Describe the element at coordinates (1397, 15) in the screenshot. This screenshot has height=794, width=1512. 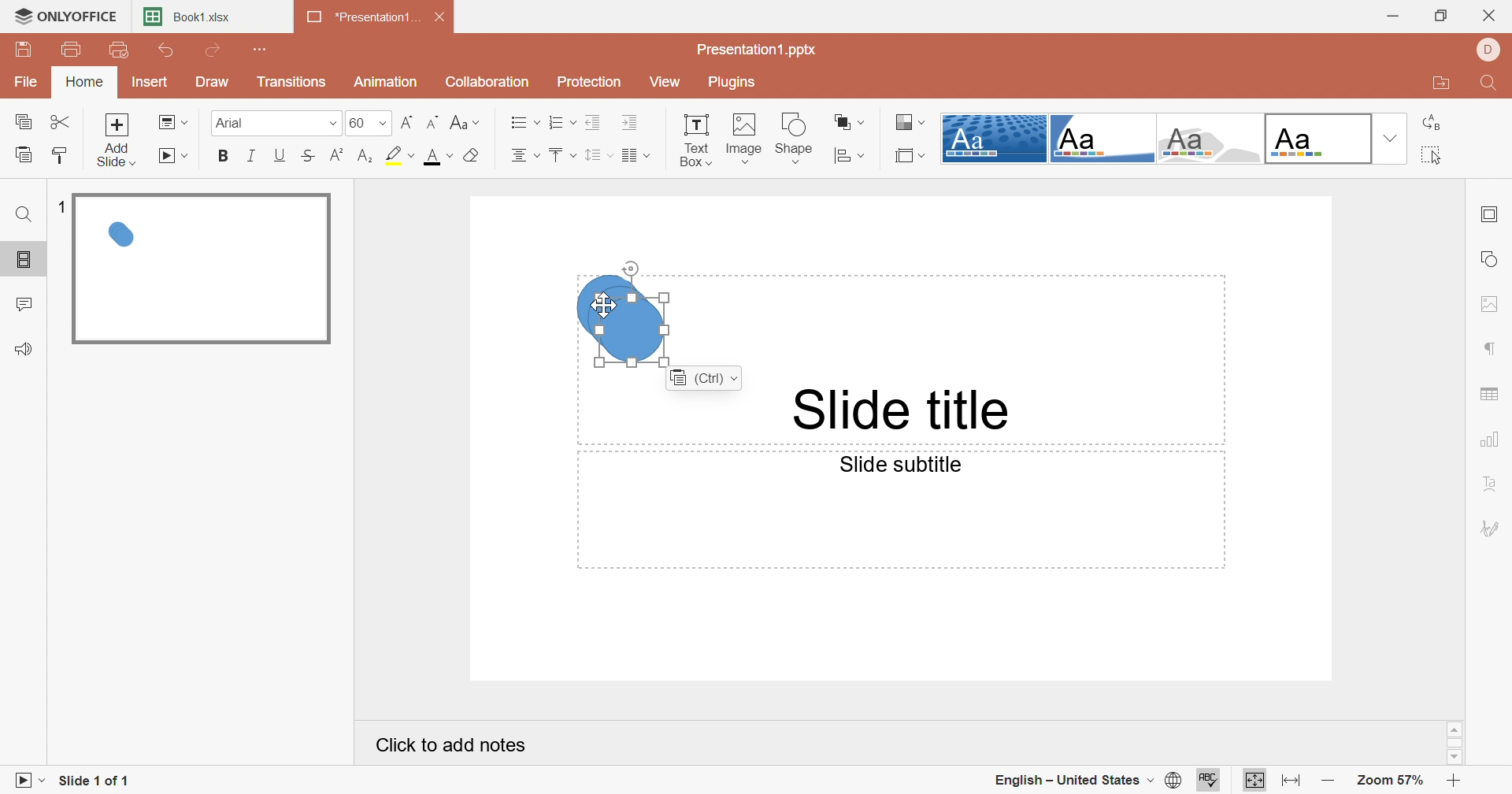
I see `Minimize` at that location.